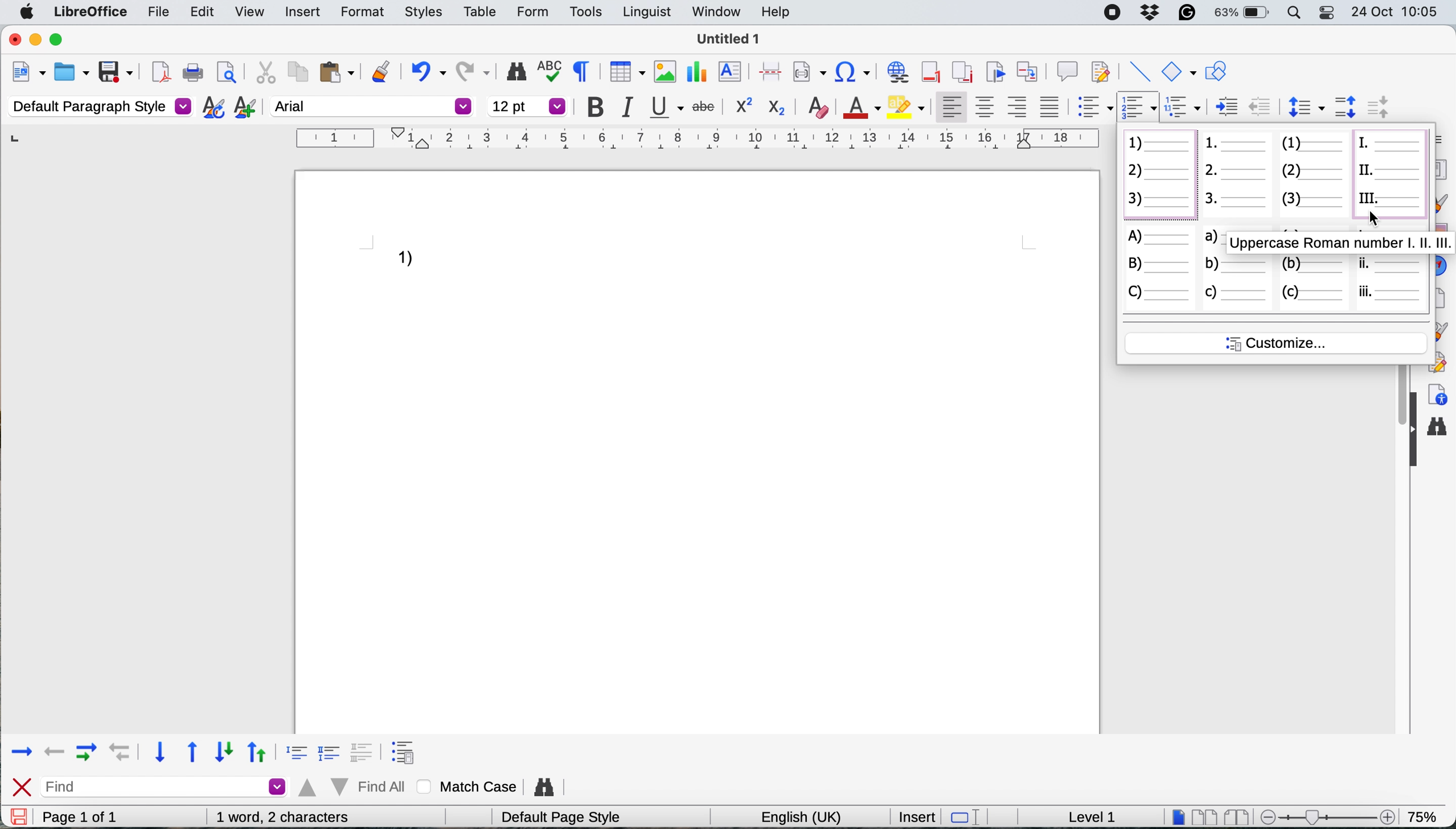  I want to click on insert footer, so click(932, 71).